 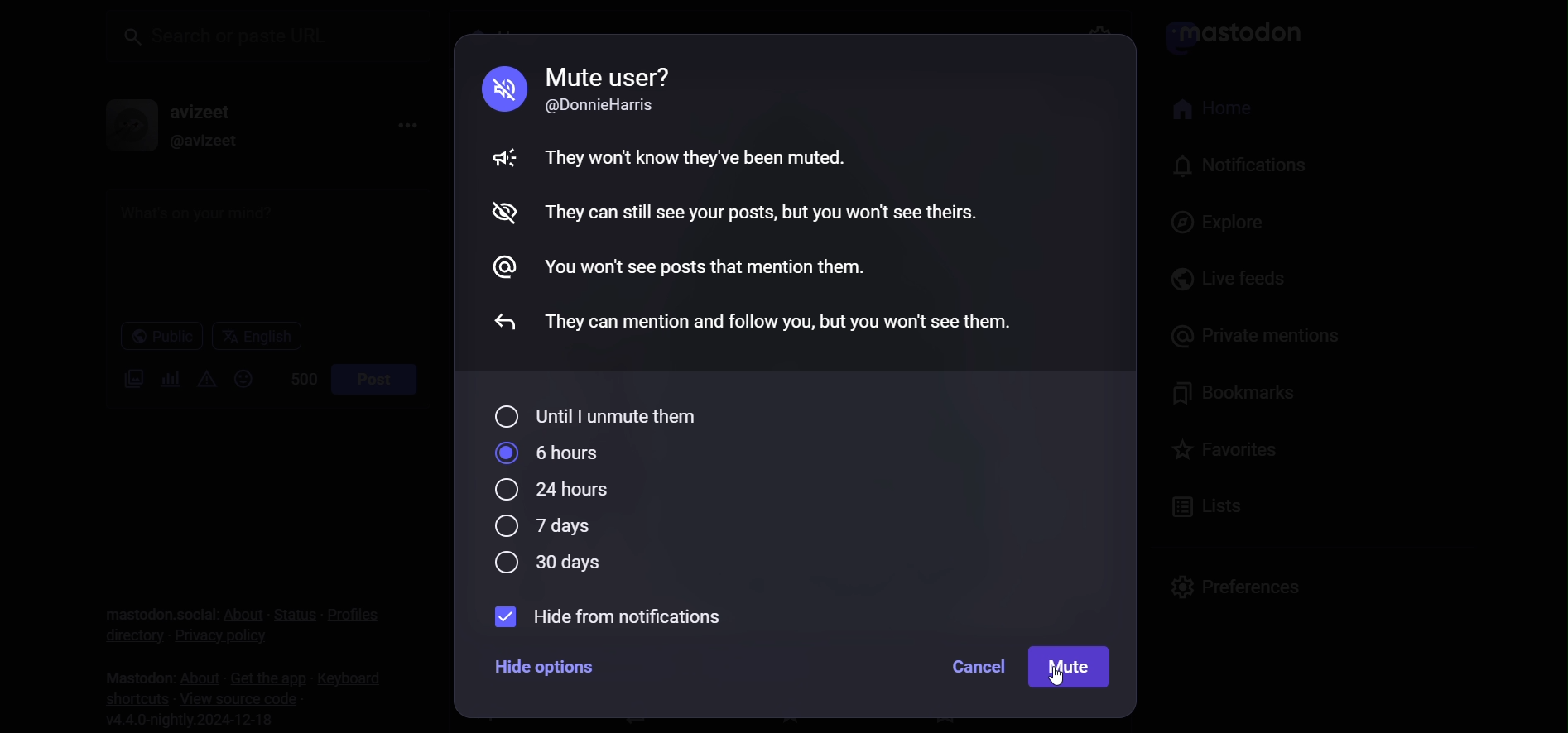 I want to click on mention, so click(x=509, y=267).